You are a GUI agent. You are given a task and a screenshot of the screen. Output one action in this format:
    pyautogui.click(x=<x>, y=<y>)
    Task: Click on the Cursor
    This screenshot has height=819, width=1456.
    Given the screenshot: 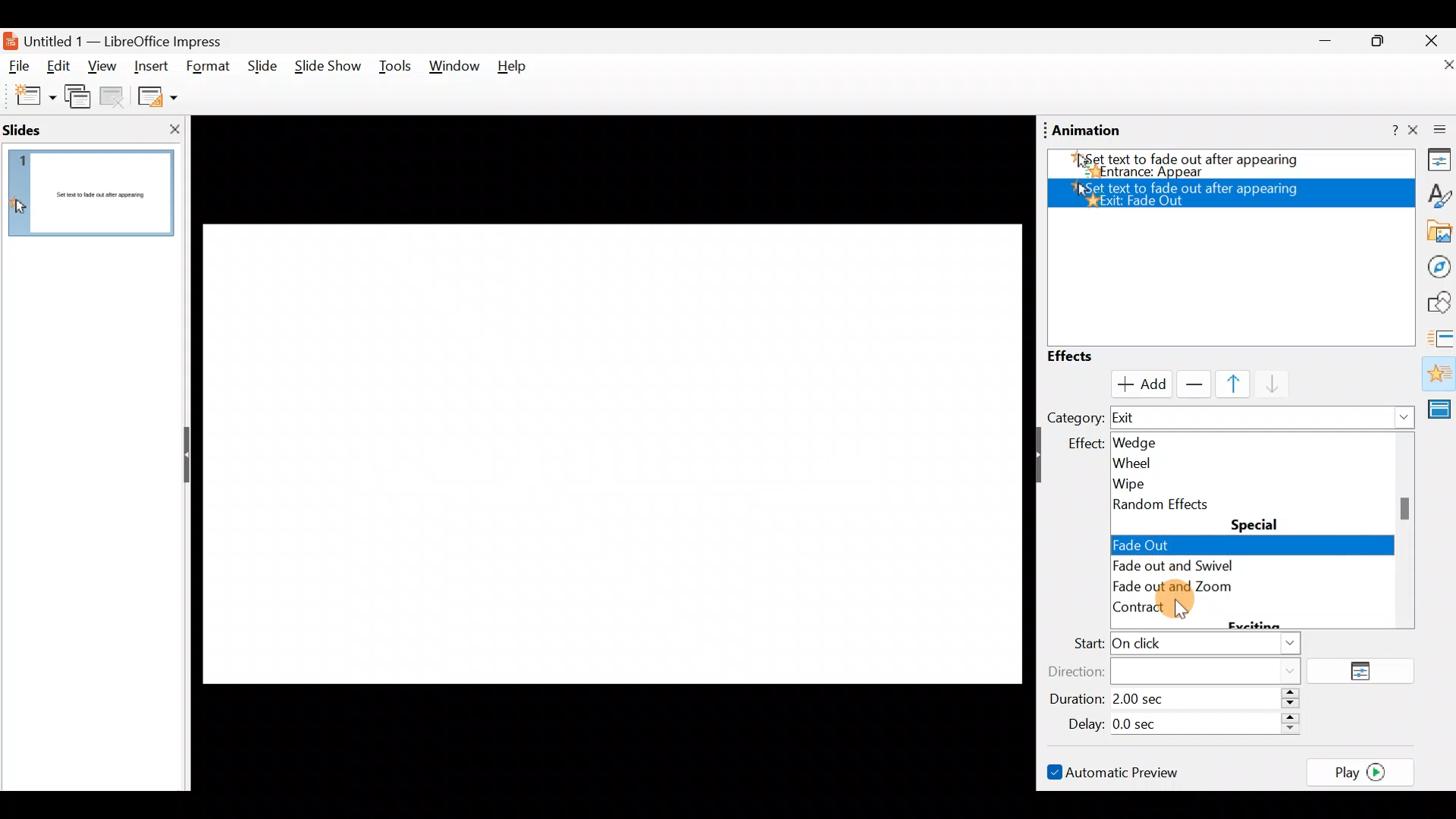 What is the action you would take?
    pyautogui.click(x=1137, y=382)
    